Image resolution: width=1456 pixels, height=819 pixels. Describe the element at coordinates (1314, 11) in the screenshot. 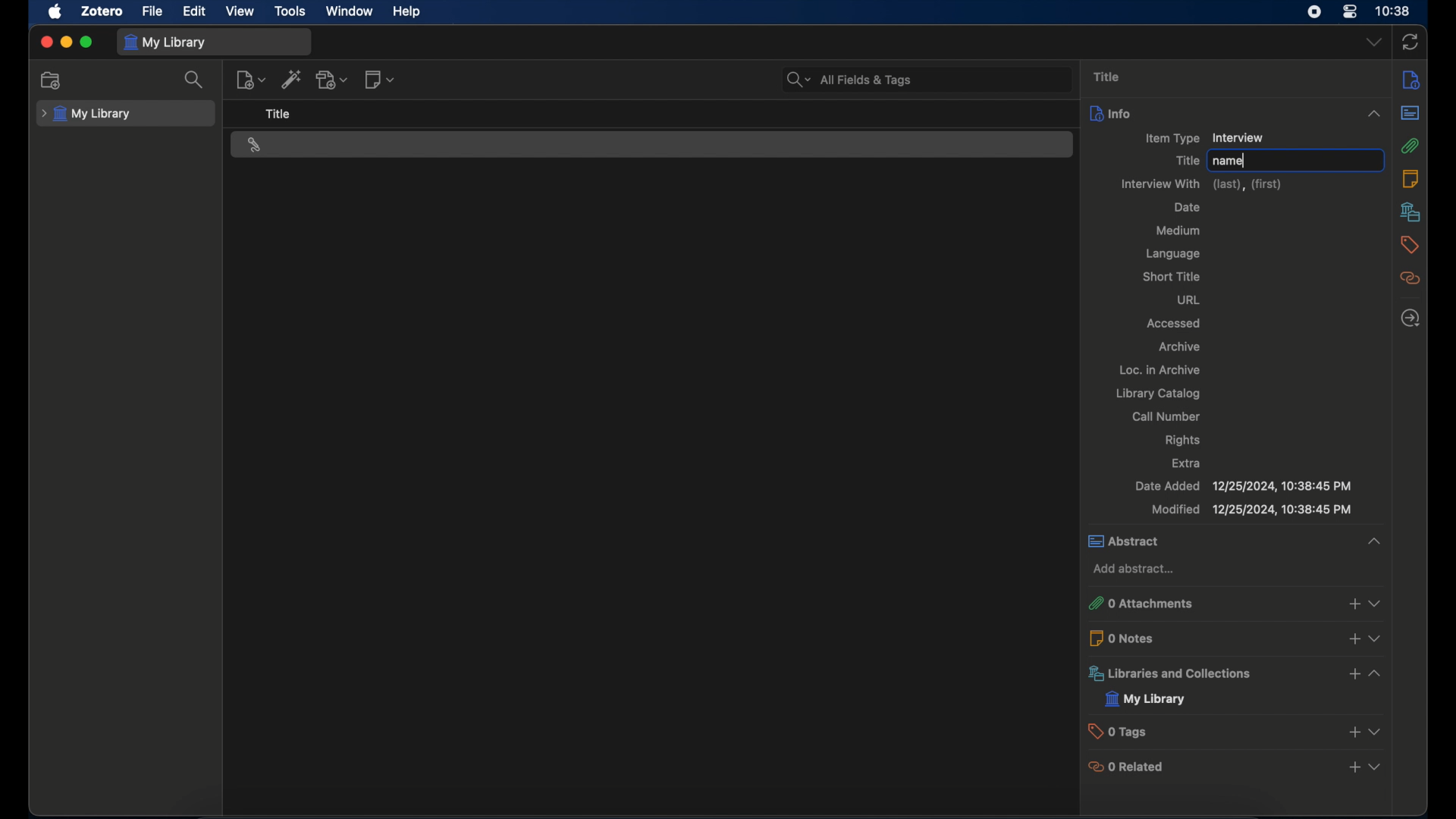

I see `screen recorder` at that location.